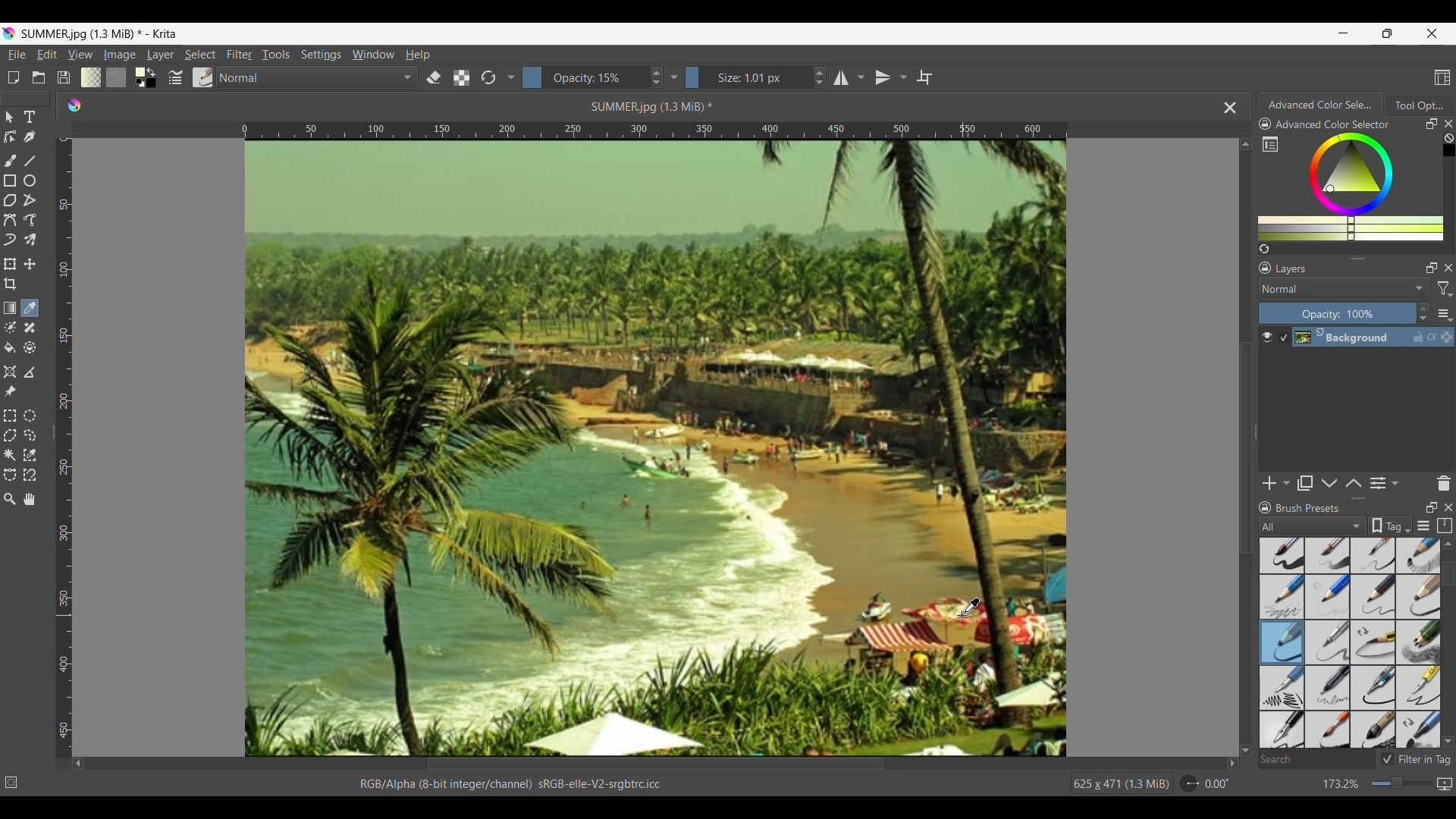 The image size is (1456, 819). I want to click on Quick slide to top, so click(1245, 144).